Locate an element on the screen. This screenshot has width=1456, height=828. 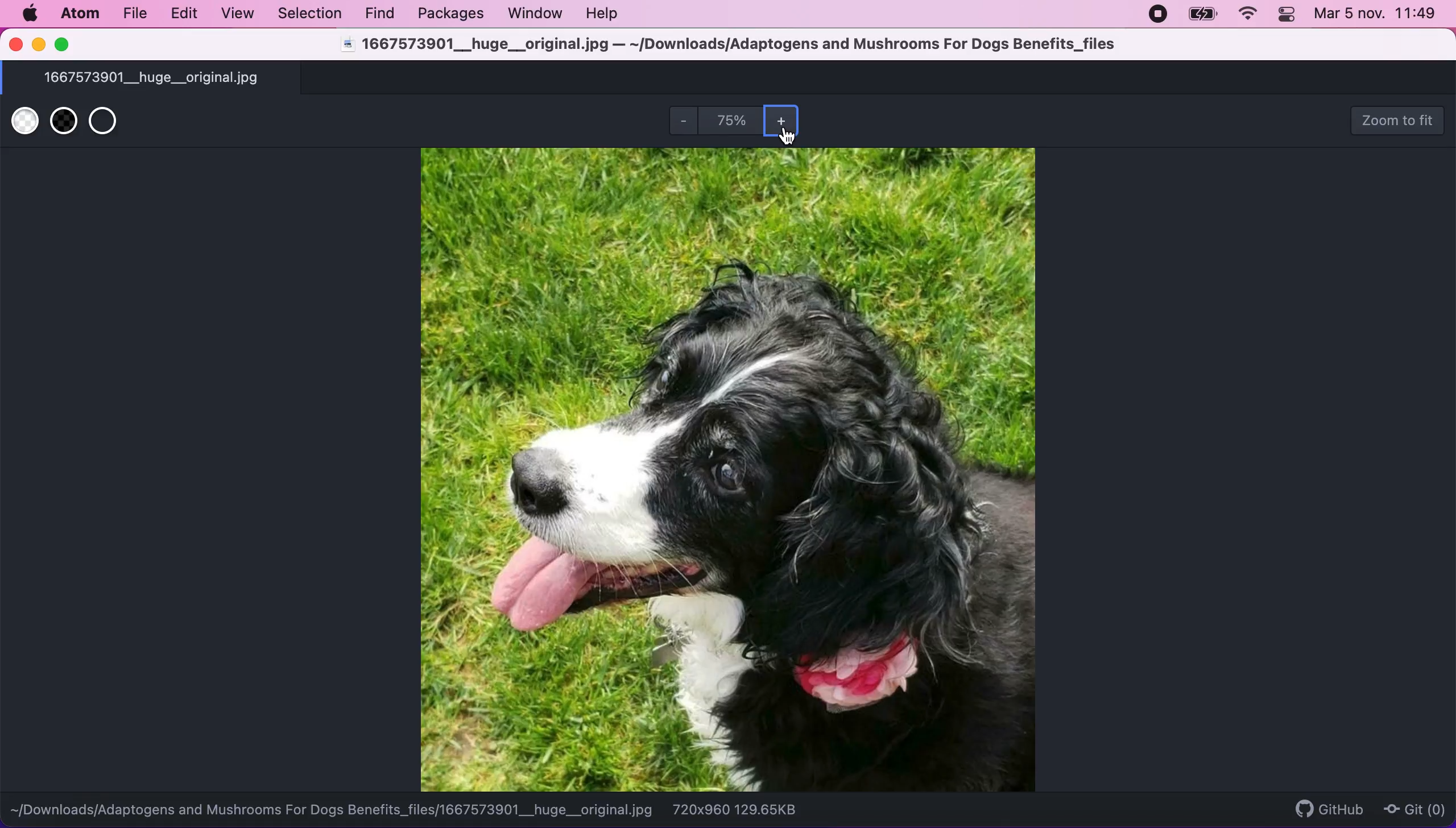
use transparent background is located at coordinates (113, 124).